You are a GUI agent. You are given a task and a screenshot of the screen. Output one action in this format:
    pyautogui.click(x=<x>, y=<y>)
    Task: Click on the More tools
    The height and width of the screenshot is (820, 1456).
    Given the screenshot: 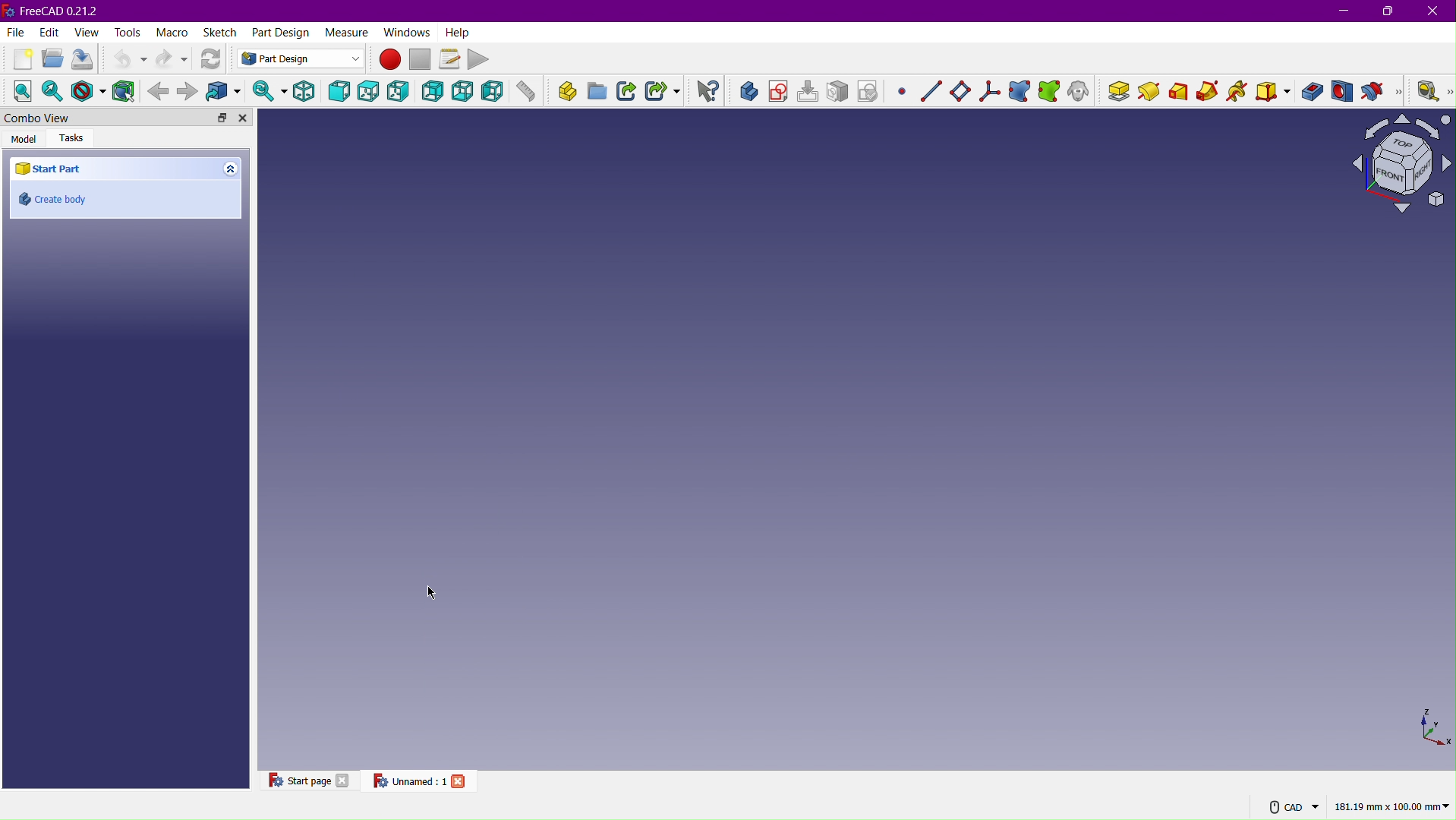 What is the action you would take?
    pyautogui.click(x=1400, y=96)
    